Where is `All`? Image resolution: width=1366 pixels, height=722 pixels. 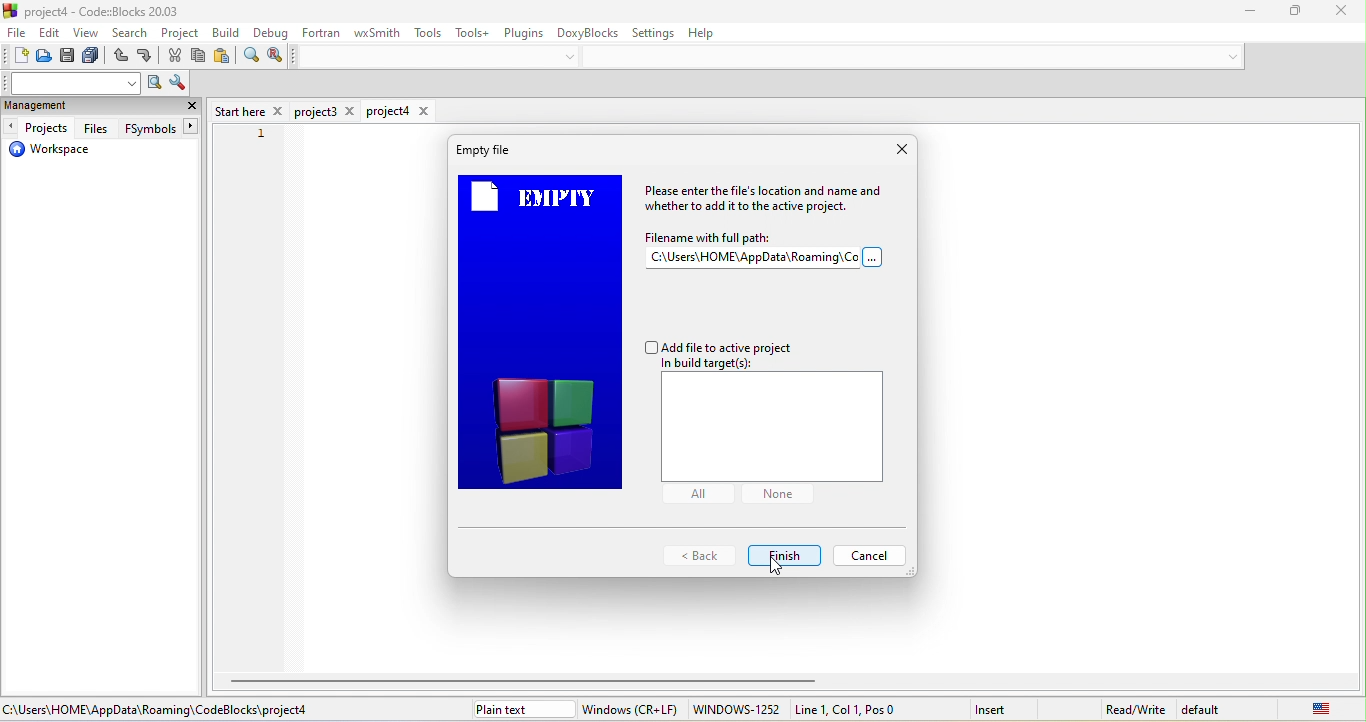
All is located at coordinates (697, 495).